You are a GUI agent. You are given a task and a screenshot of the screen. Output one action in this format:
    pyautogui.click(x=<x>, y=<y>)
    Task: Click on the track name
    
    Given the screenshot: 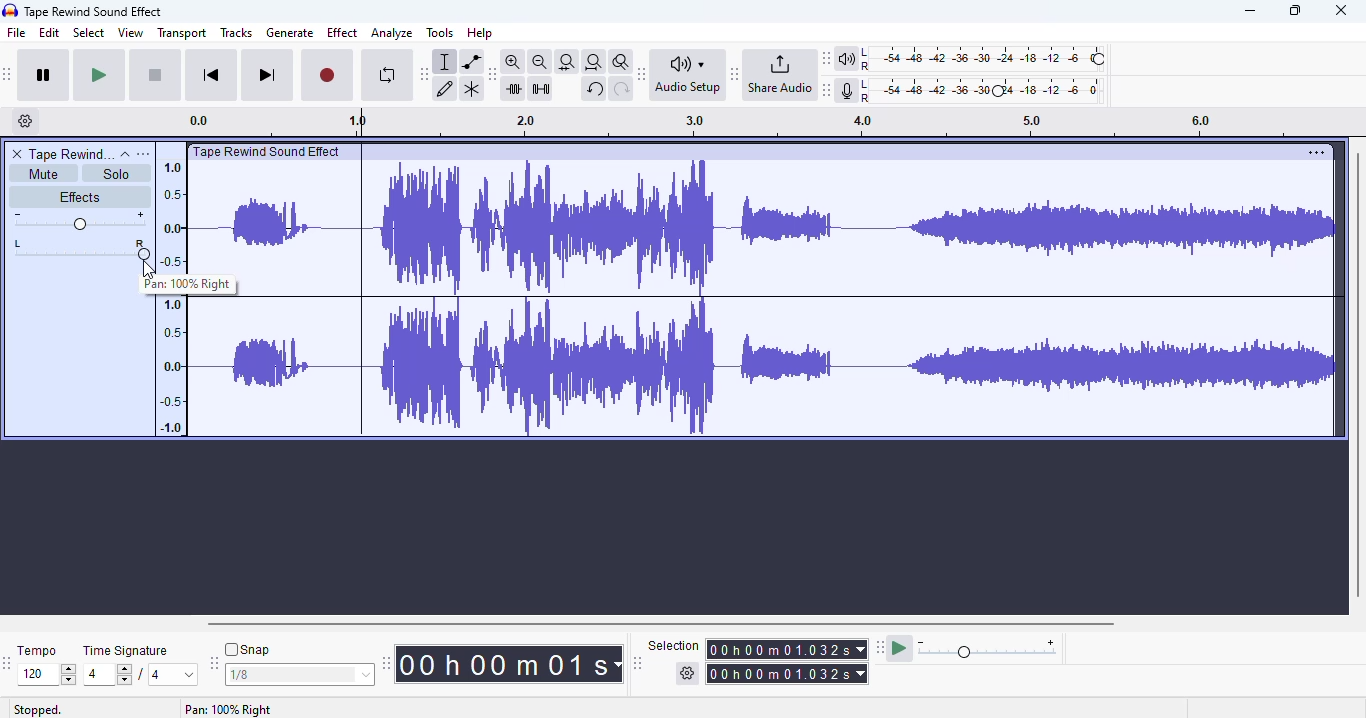 What is the action you would take?
    pyautogui.click(x=72, y=153)
    